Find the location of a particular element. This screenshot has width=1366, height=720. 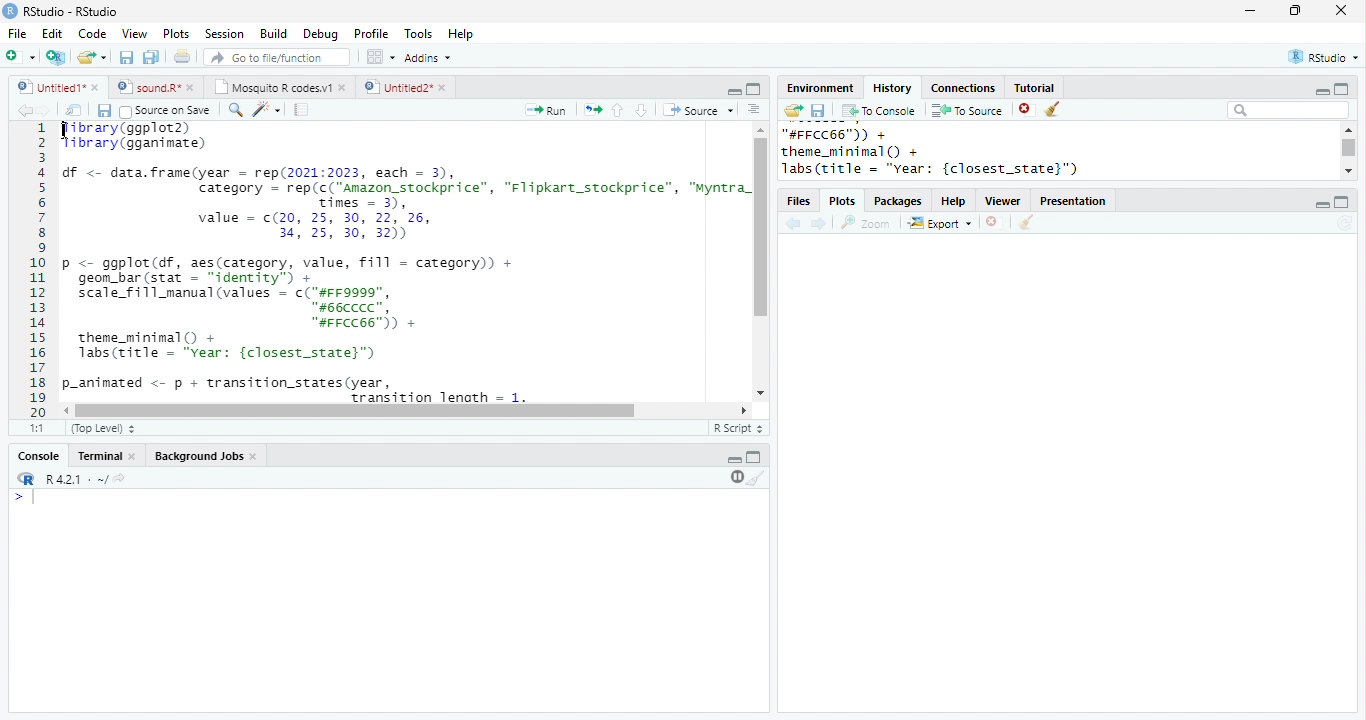

Terminal is located at coordinates (98, 456).